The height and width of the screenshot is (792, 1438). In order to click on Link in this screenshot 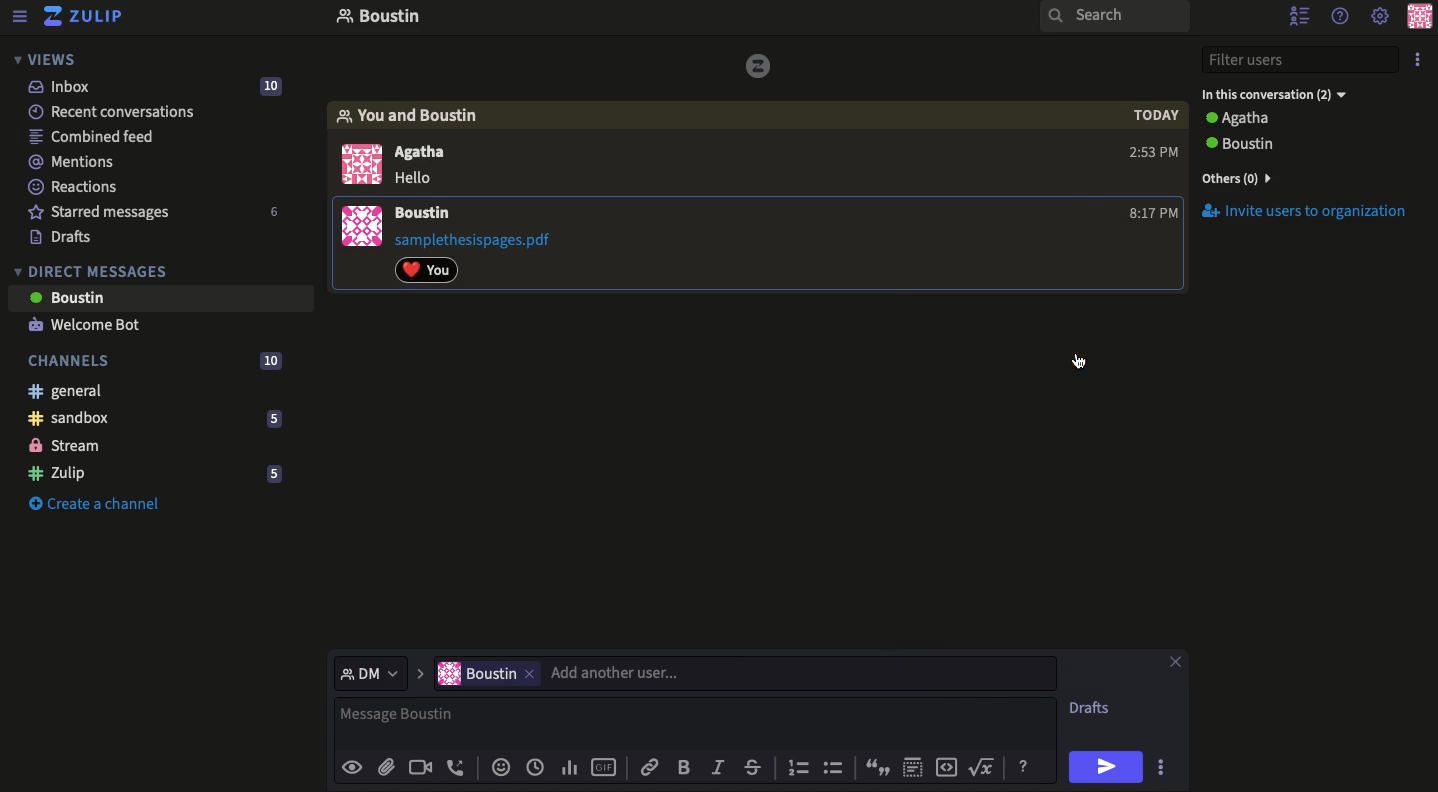, I will do `click(648, 766)`.